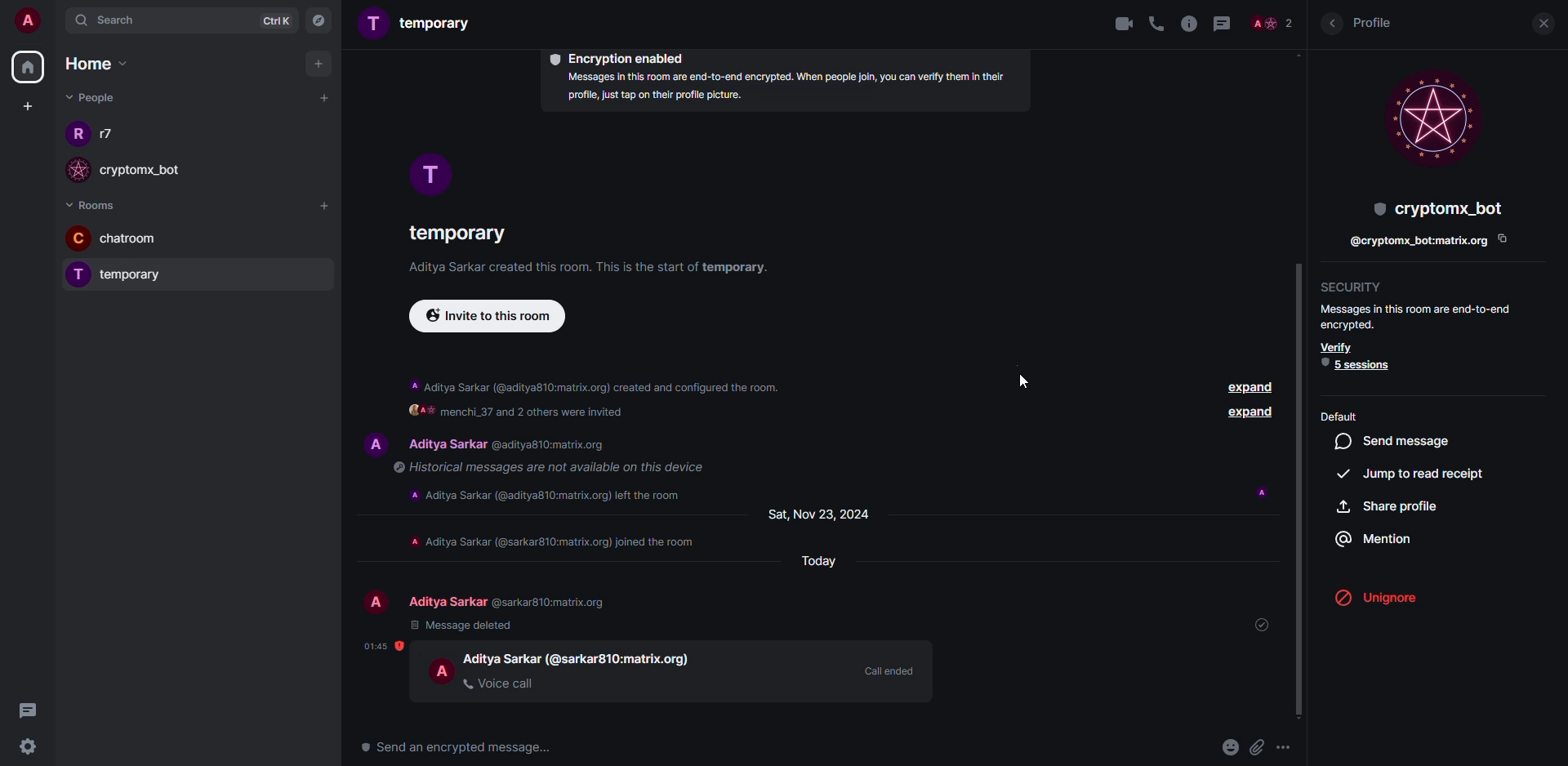 The height and width of the screenshot is (766, 1568). What do you see at coordinates (269, 20) in the screenshot?
I see `ctrlK` at bounding box center [269, 20].